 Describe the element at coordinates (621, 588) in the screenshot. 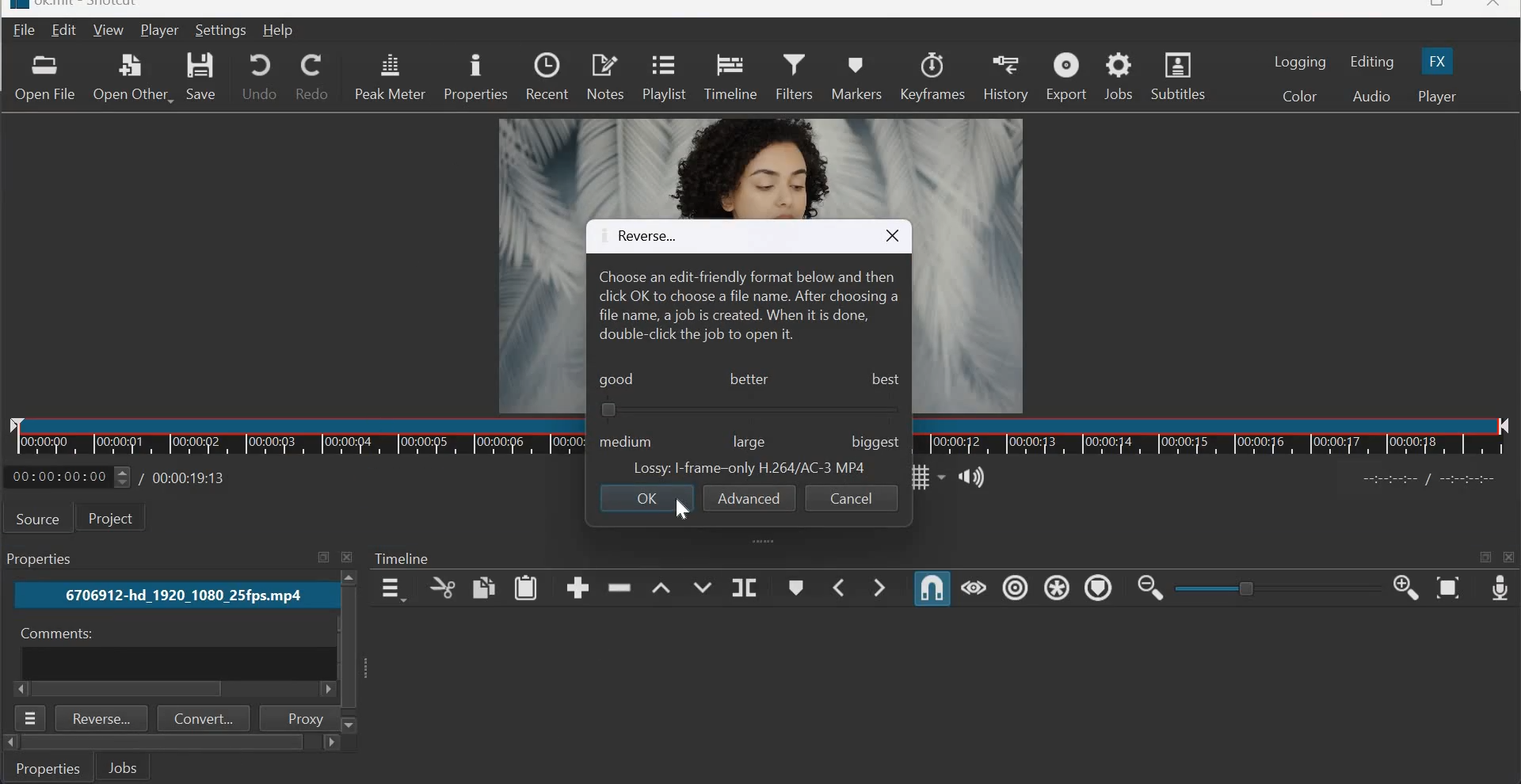

I see `ripple delete` at that location.